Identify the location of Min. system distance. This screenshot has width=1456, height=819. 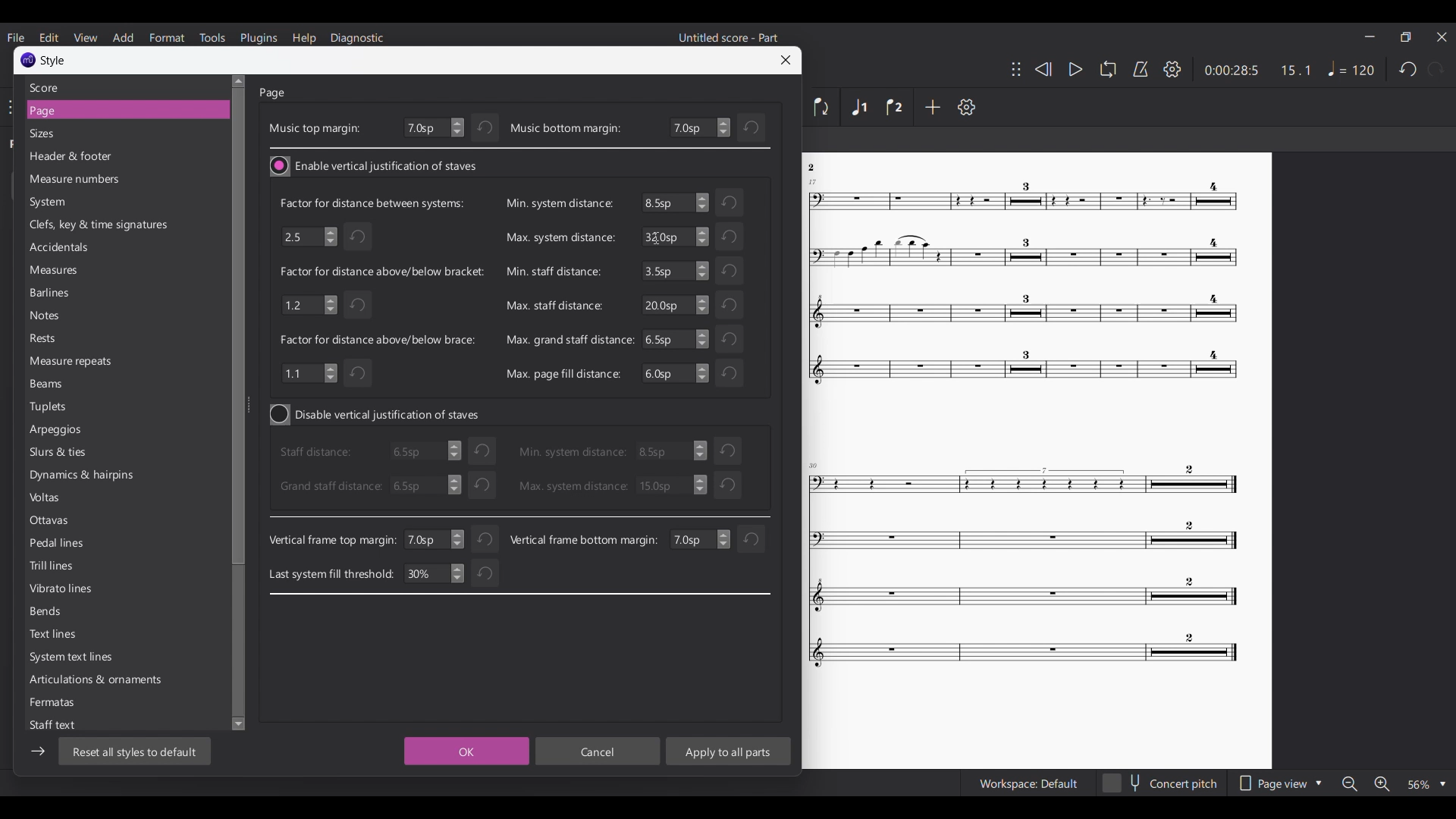
(557, 203).